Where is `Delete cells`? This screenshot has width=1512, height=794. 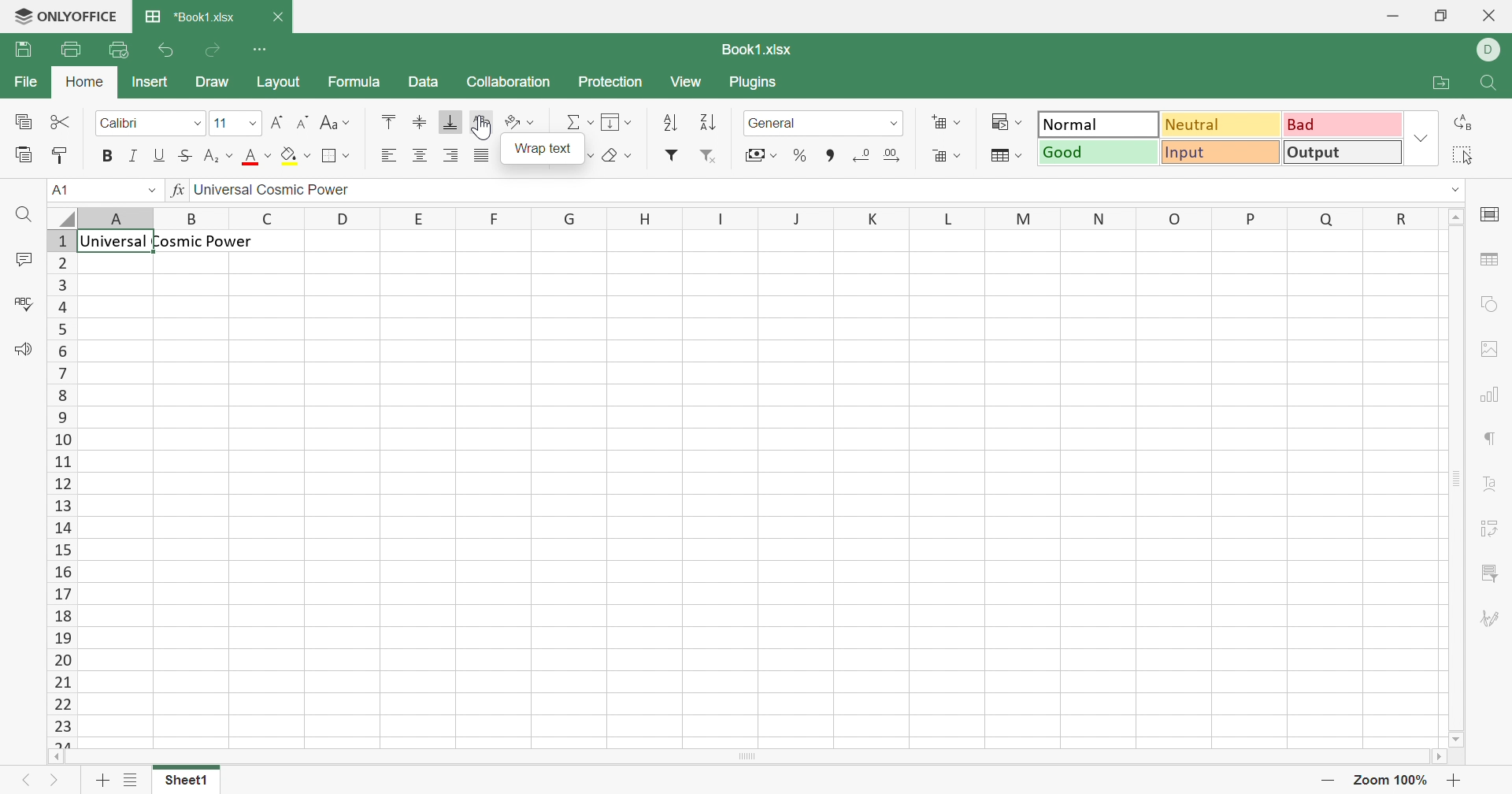
Delete cells is located at coordinates (947, 157).